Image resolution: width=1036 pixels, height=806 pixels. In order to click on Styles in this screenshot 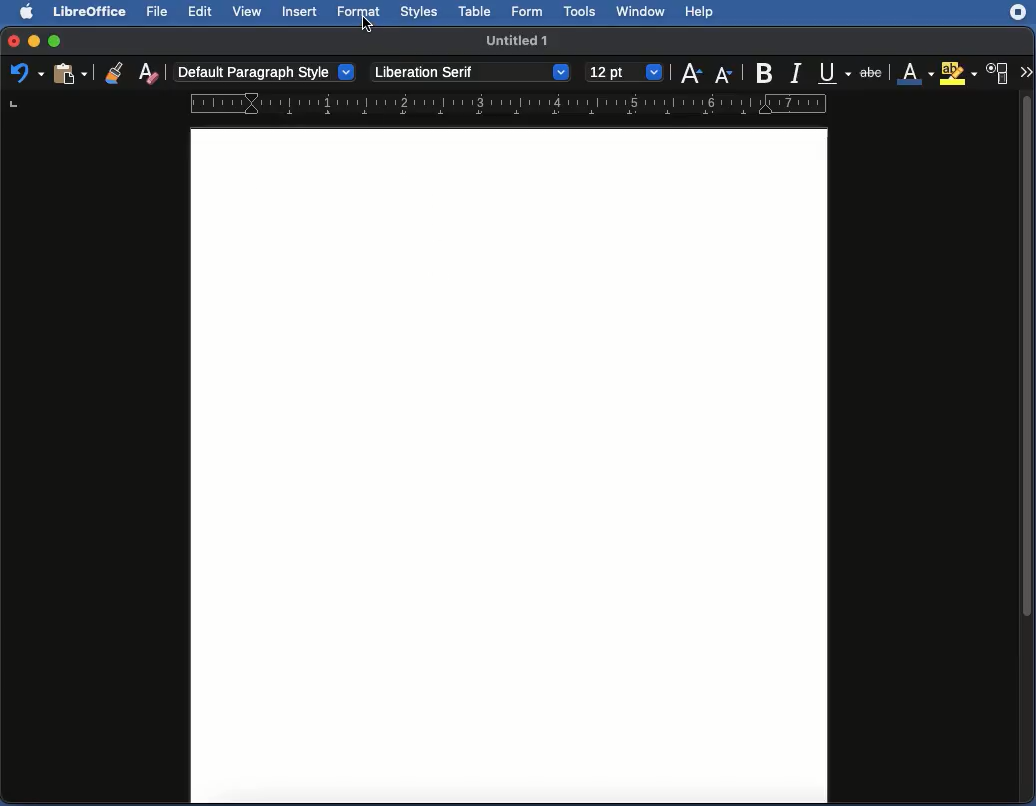, I will do `click(420, 12)`.